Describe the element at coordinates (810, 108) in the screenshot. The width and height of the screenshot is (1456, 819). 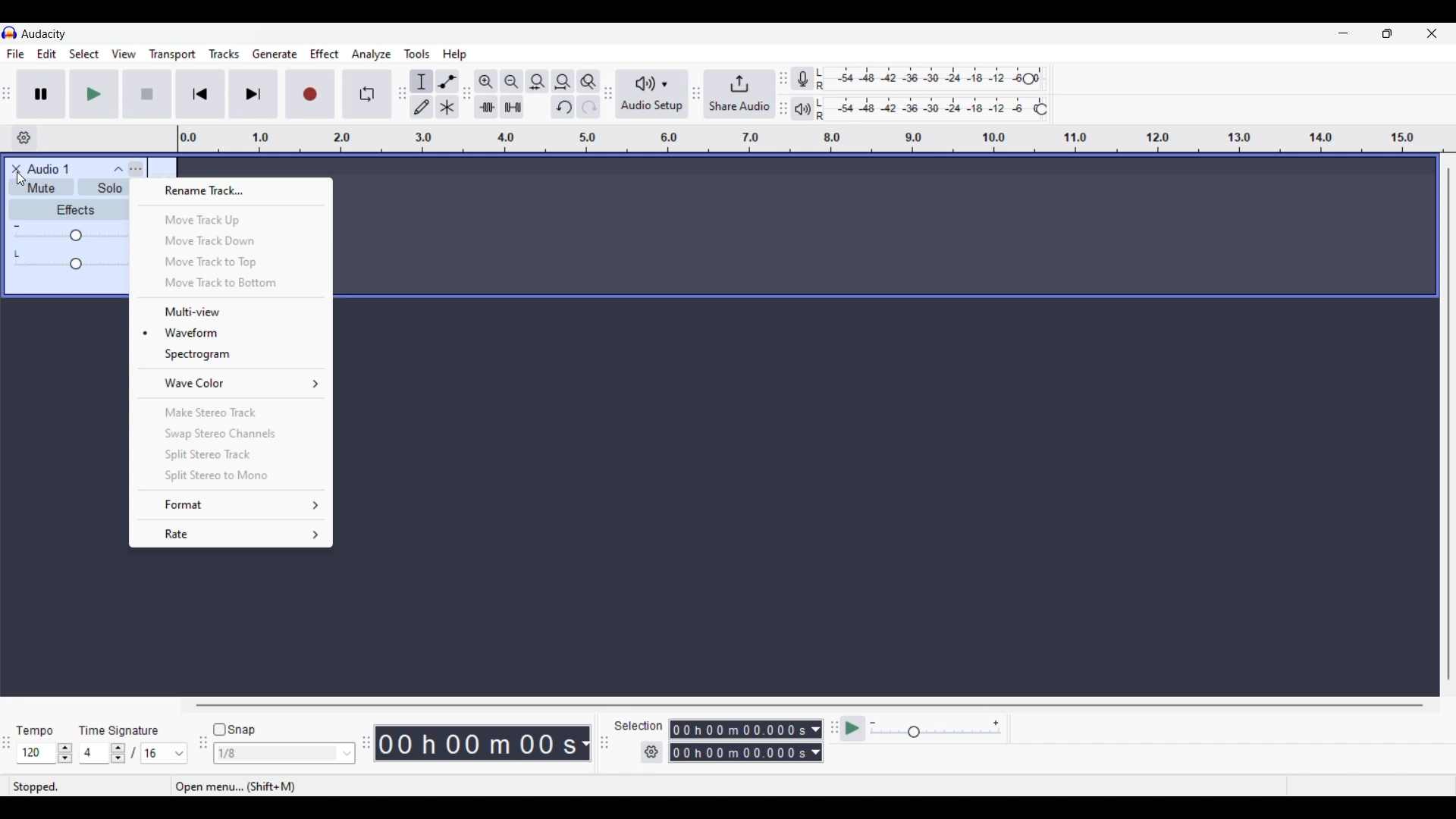
I see `Playback meter` at that location.